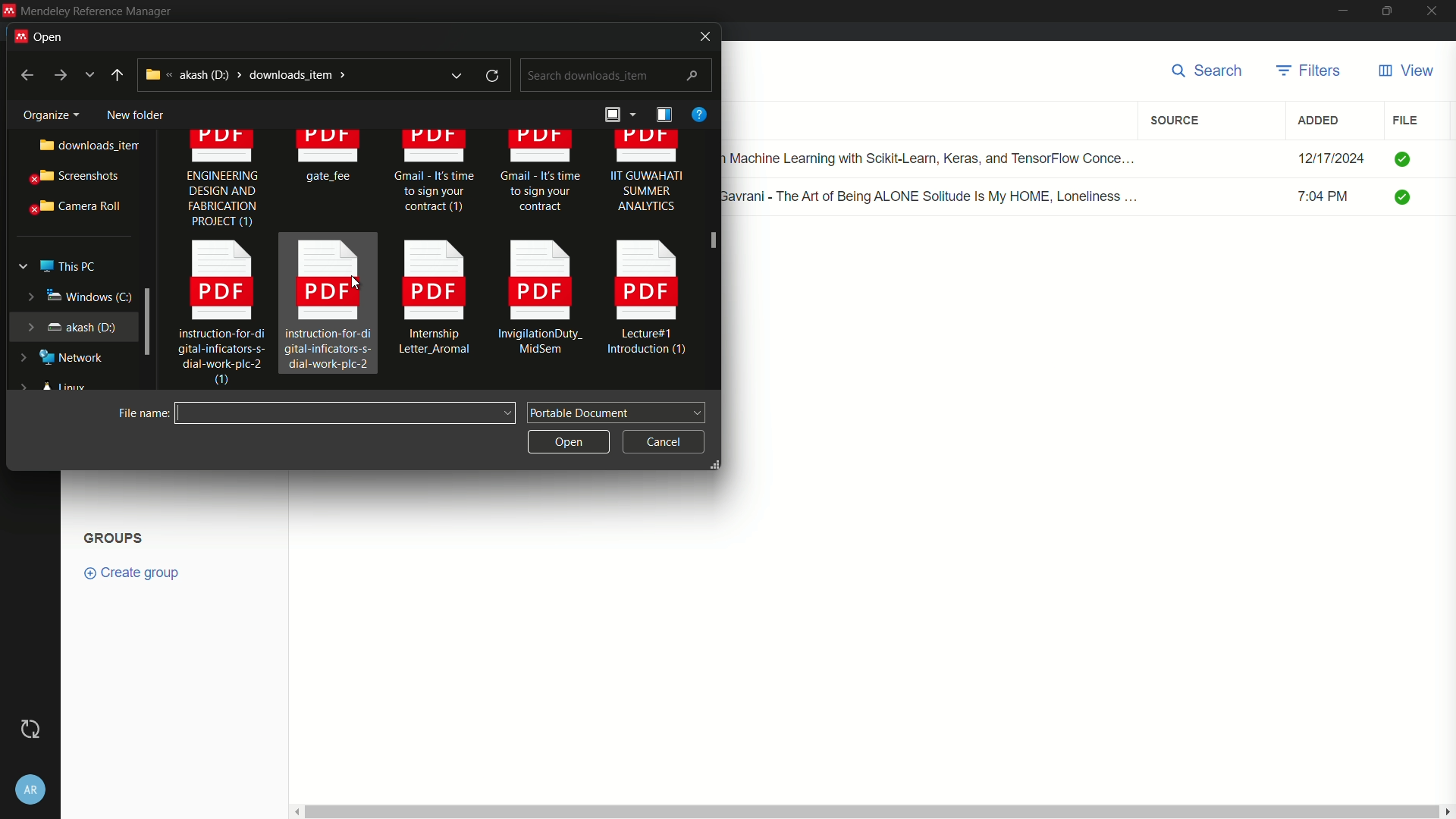 This screenshot has width=1456, height=819. I want to click on IIT GUWAHATI
SUMMER
ANALYTICS, so click(647, 178).